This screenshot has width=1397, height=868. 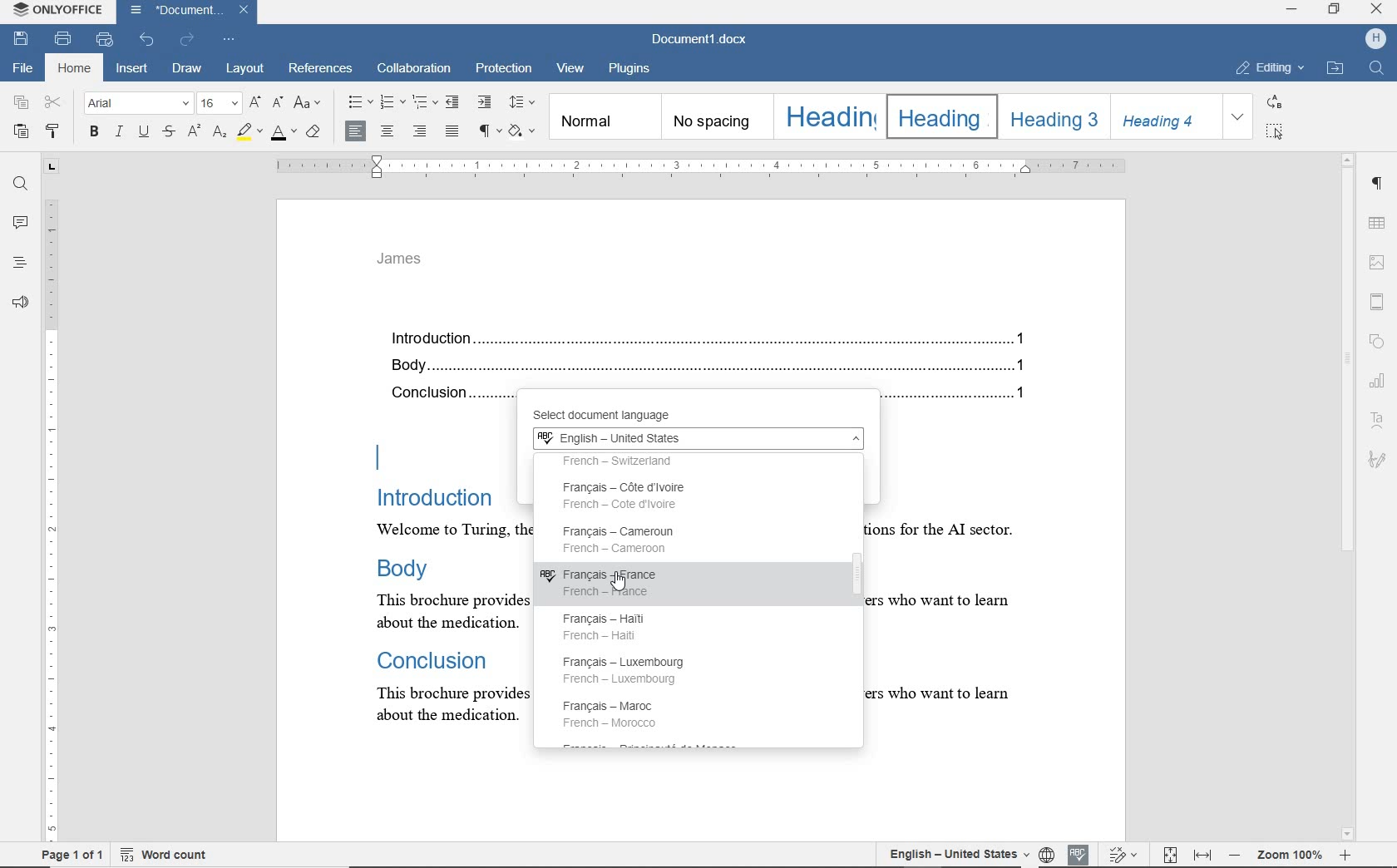 What do you see at coordinates (190, 70) in the screenshot?
I see `draw` at bounding box center [190, 70].